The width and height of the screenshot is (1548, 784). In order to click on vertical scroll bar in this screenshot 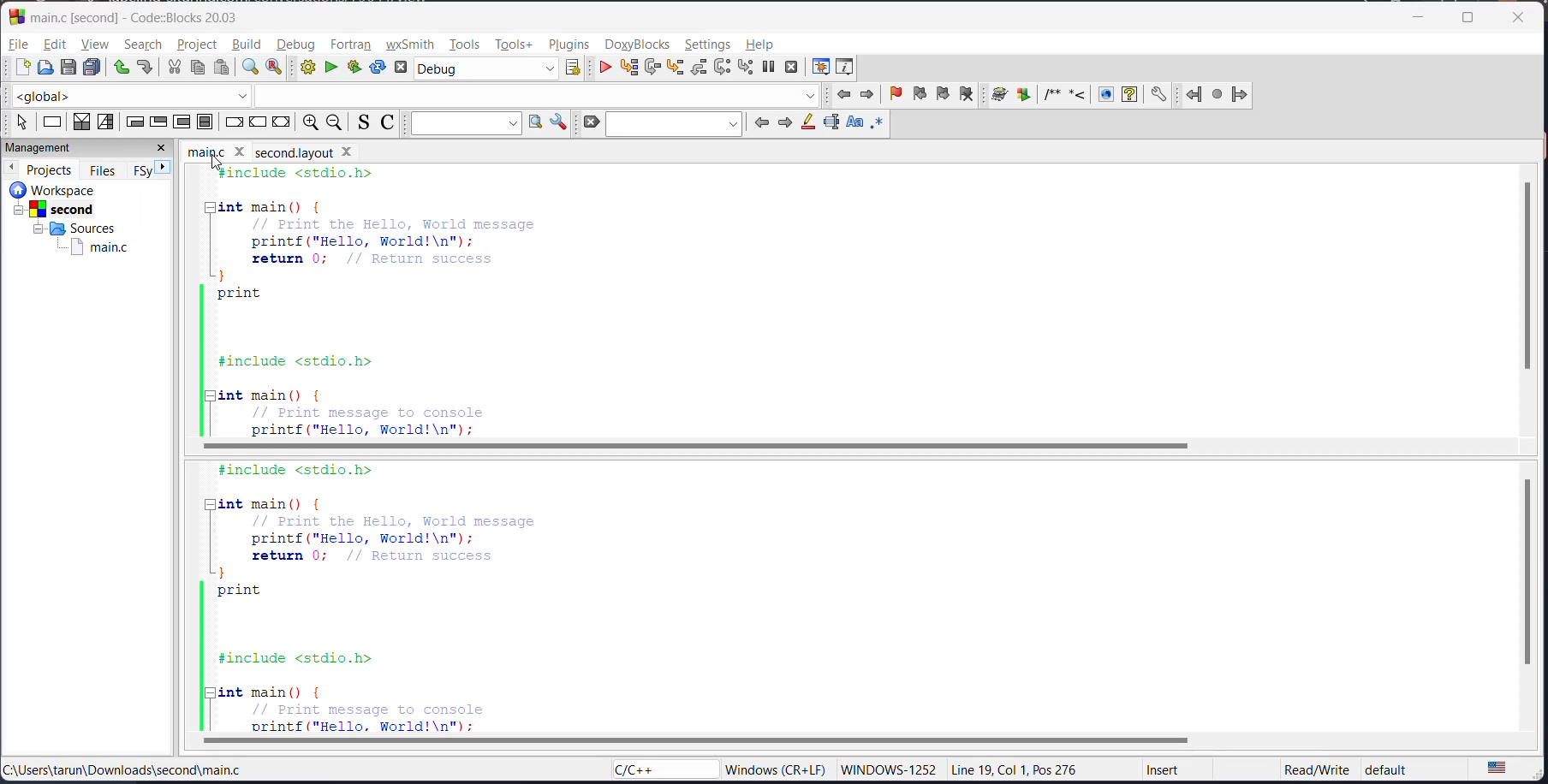, I will do `click(1529, 572)`.